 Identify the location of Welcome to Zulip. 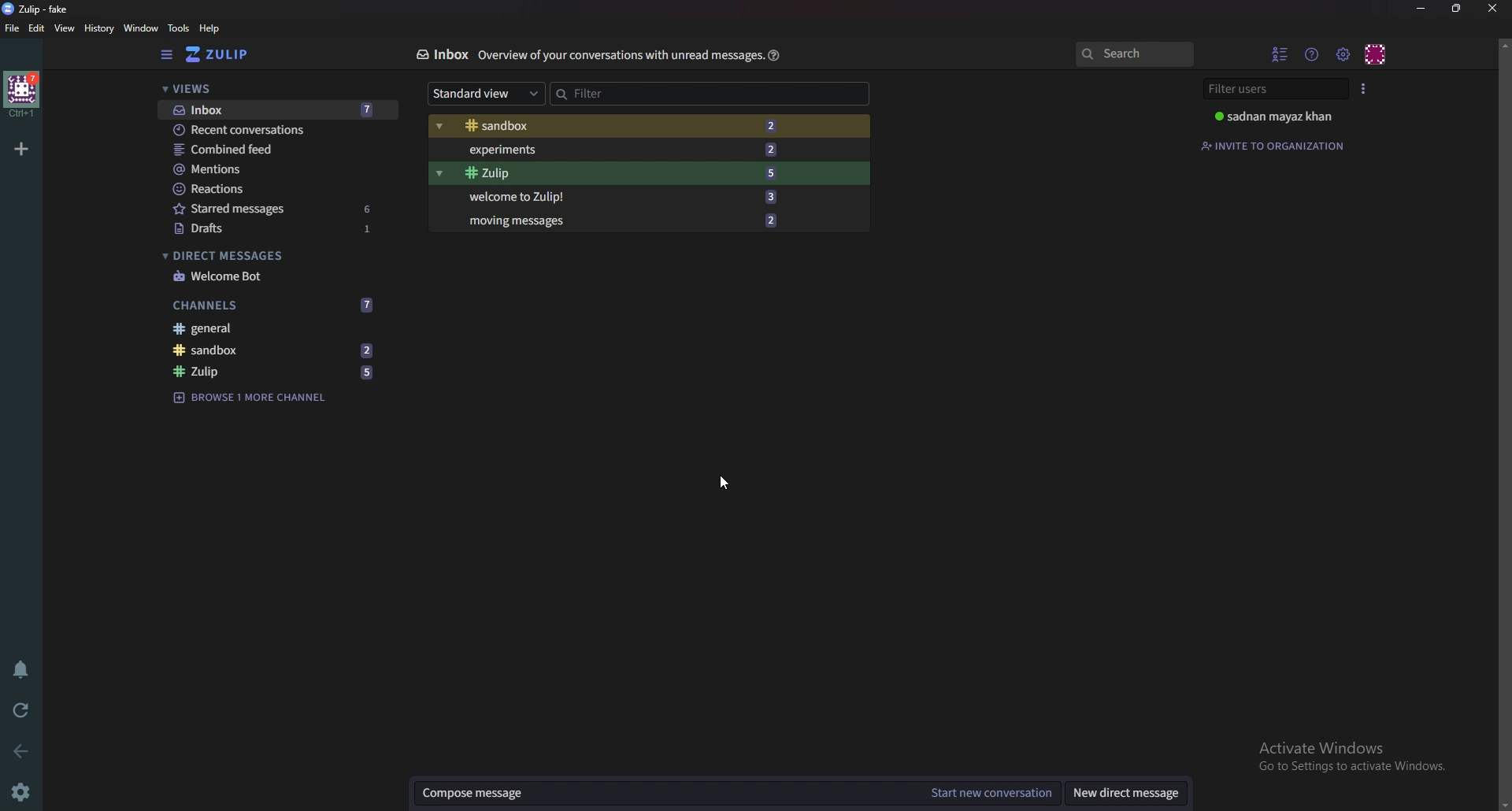
(636, 198).